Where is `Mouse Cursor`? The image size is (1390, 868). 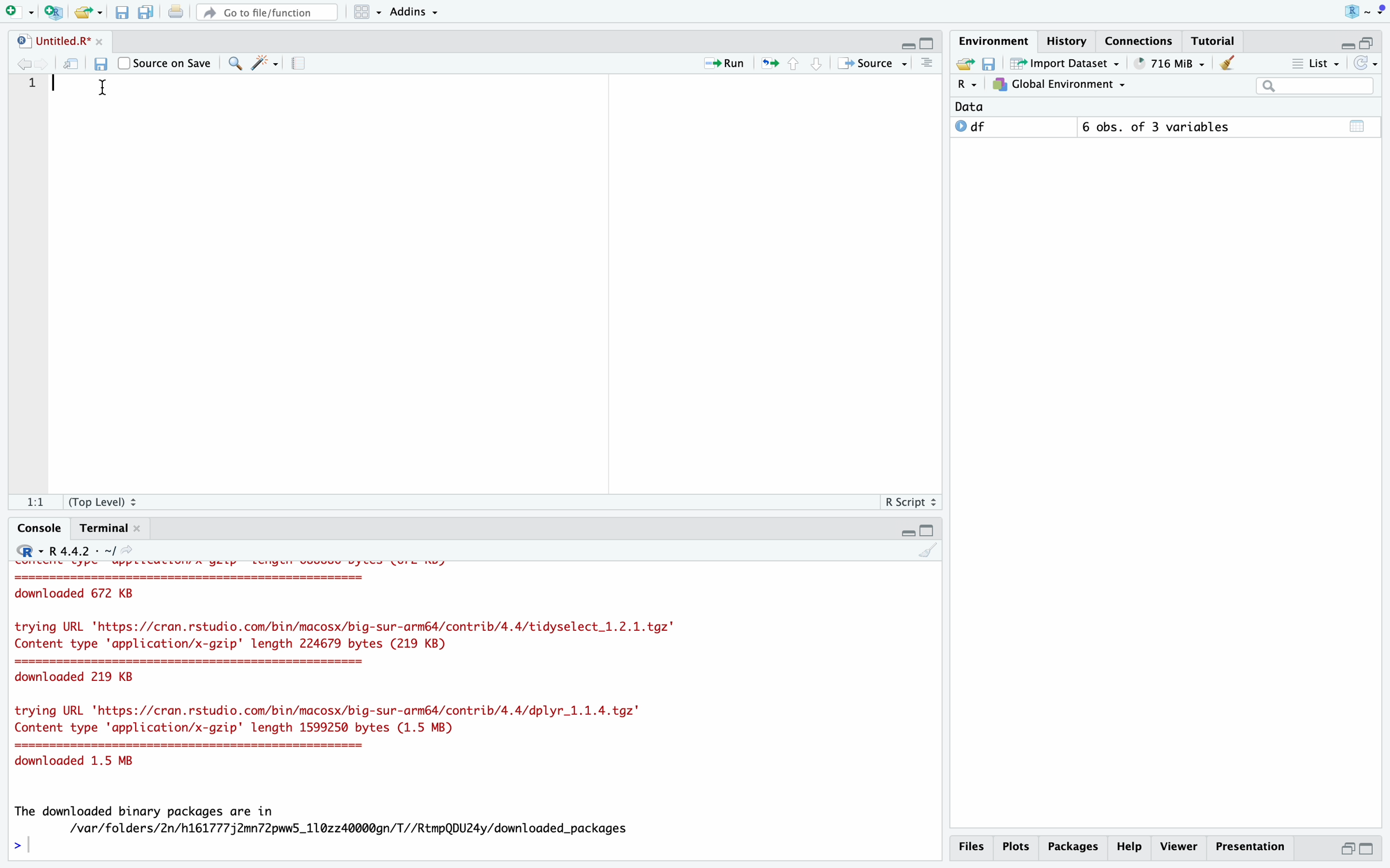
Mouse Cursor is located at coordinates (105, 93).